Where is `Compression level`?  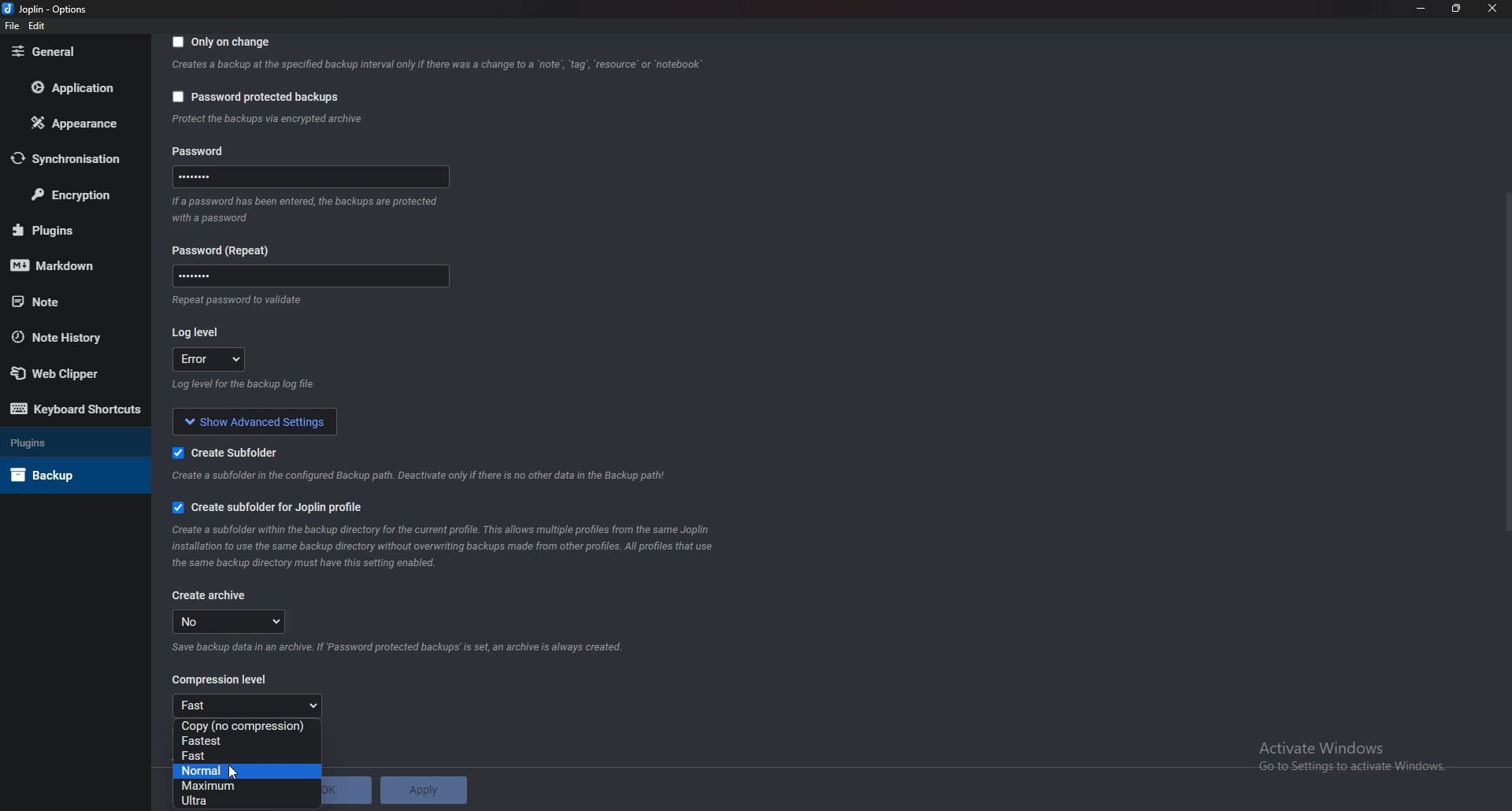
Compression level is located at coordinates (220, 680).